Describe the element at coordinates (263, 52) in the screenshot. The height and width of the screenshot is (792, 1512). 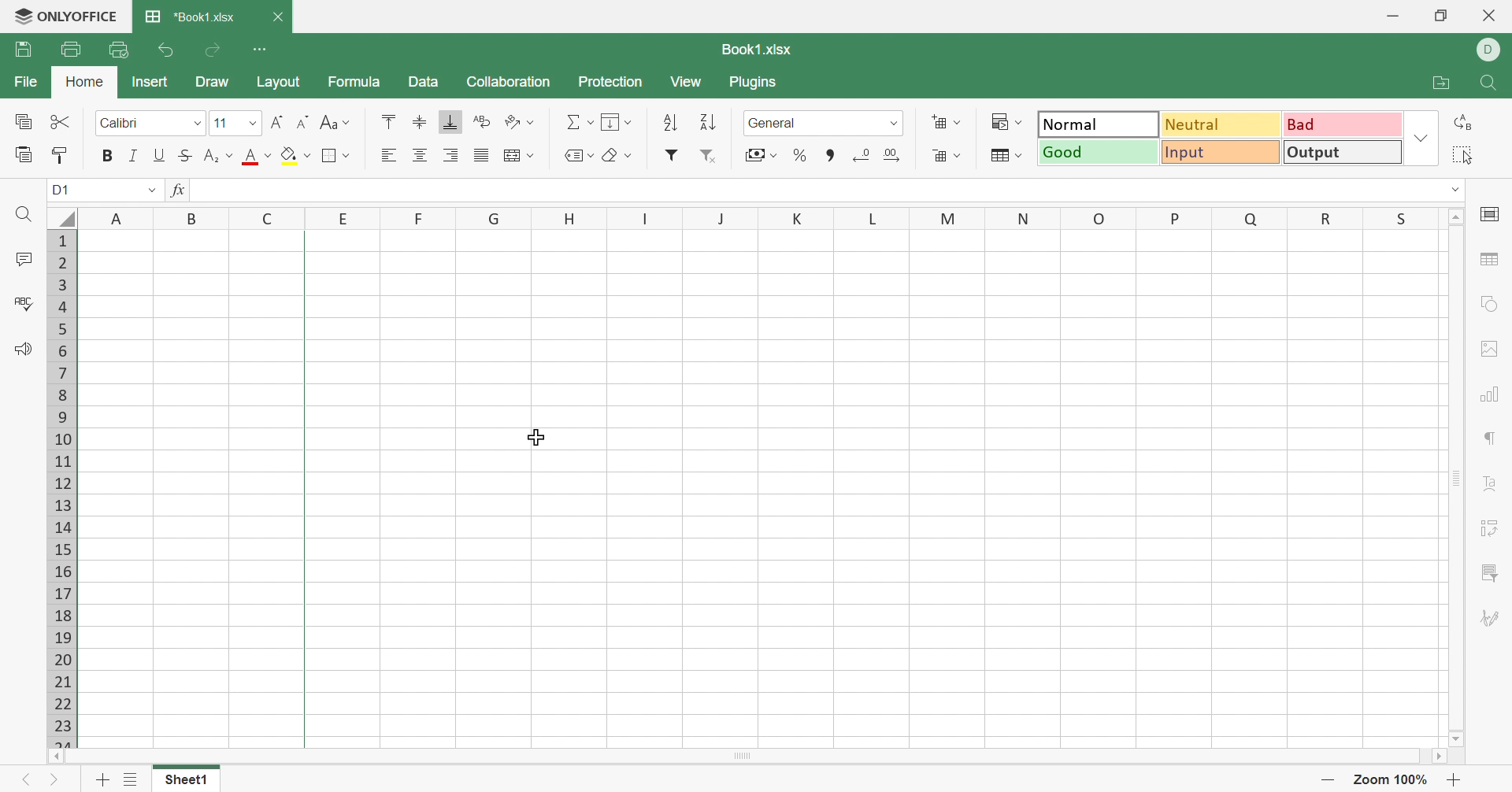
I see `Customize Quick Access Toolbar` at that location.